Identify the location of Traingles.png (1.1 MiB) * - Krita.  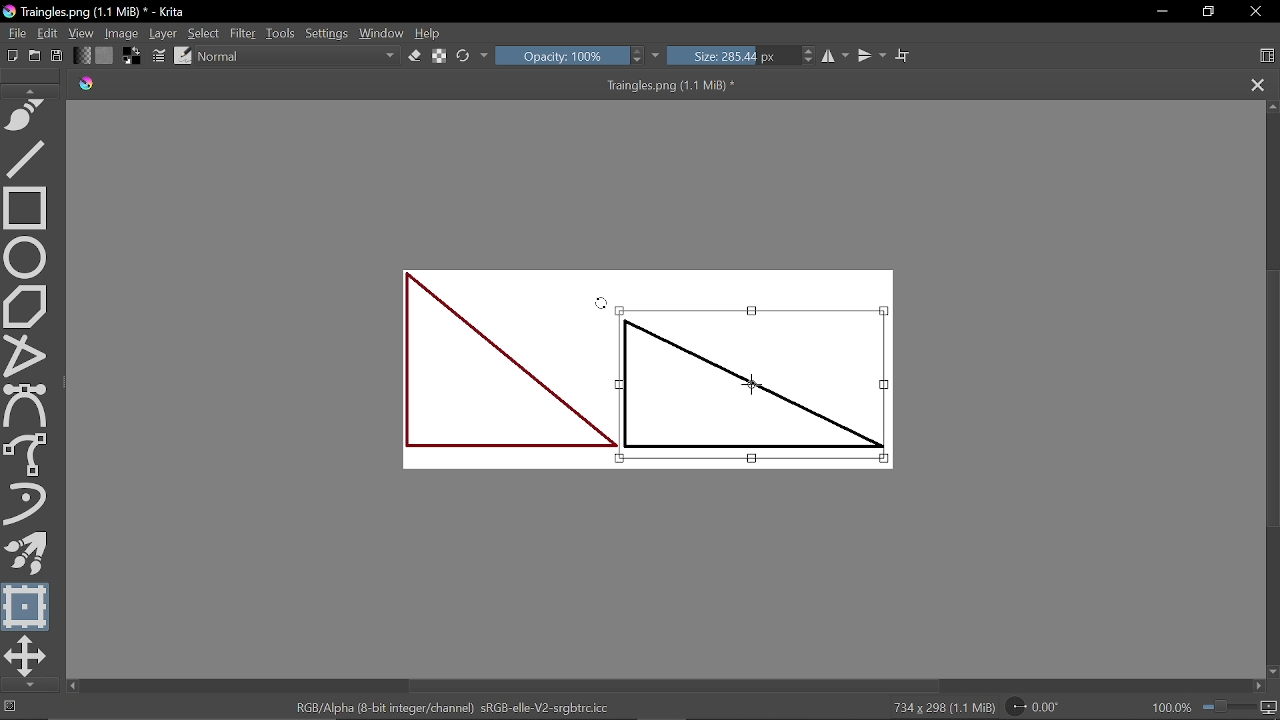
(98, 13).